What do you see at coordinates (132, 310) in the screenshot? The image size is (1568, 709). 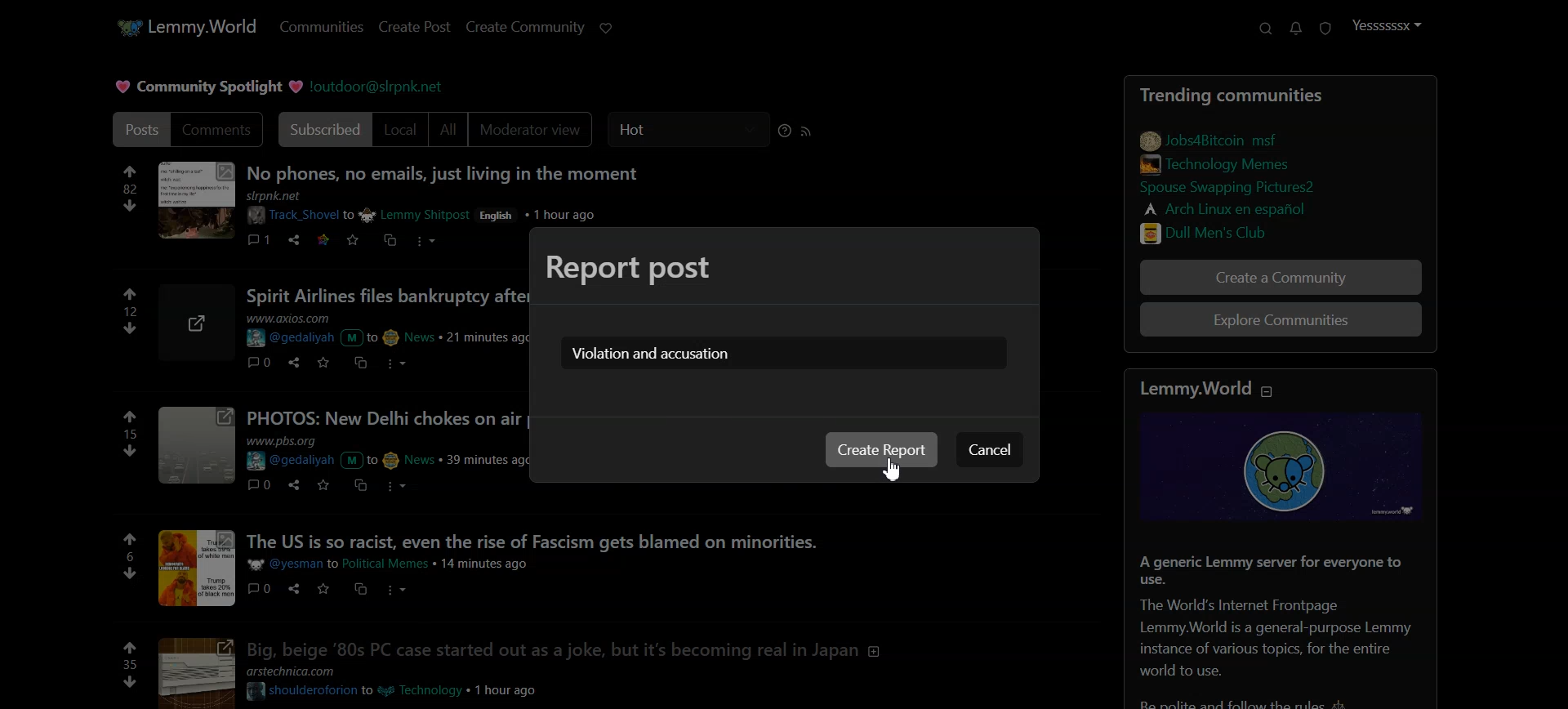 I see `numbers` at bounding box center [132, 310].